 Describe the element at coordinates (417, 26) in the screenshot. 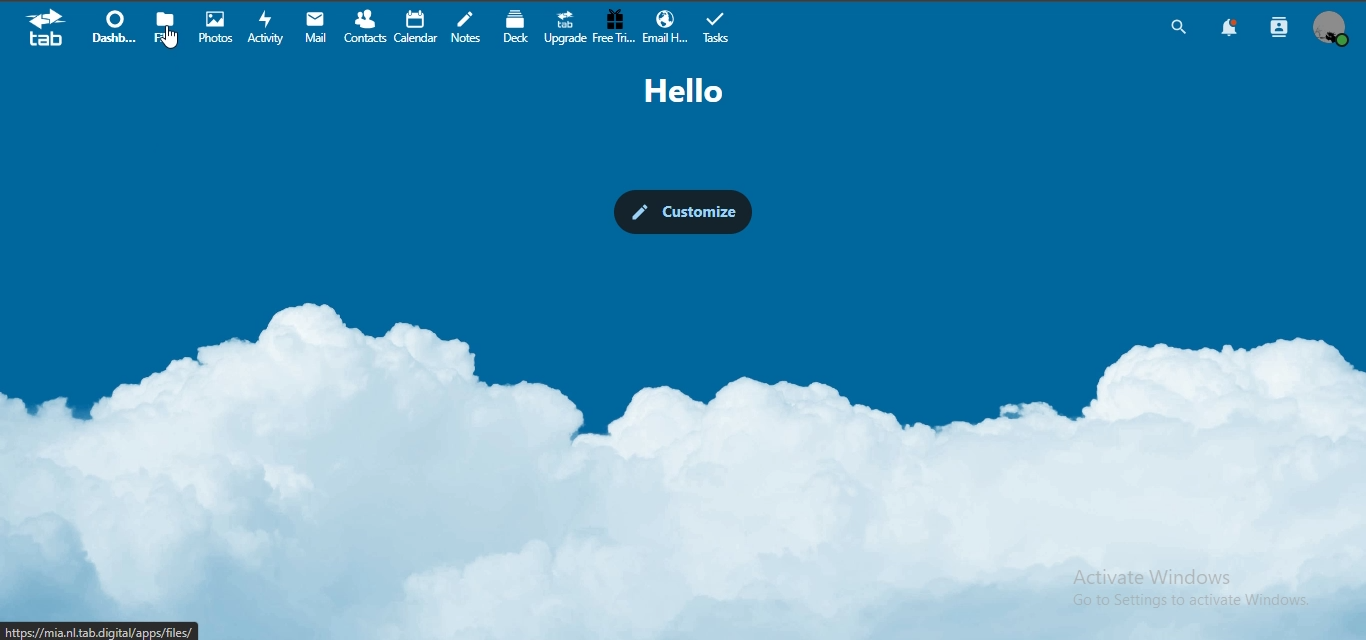

I see `calendar` at that location.